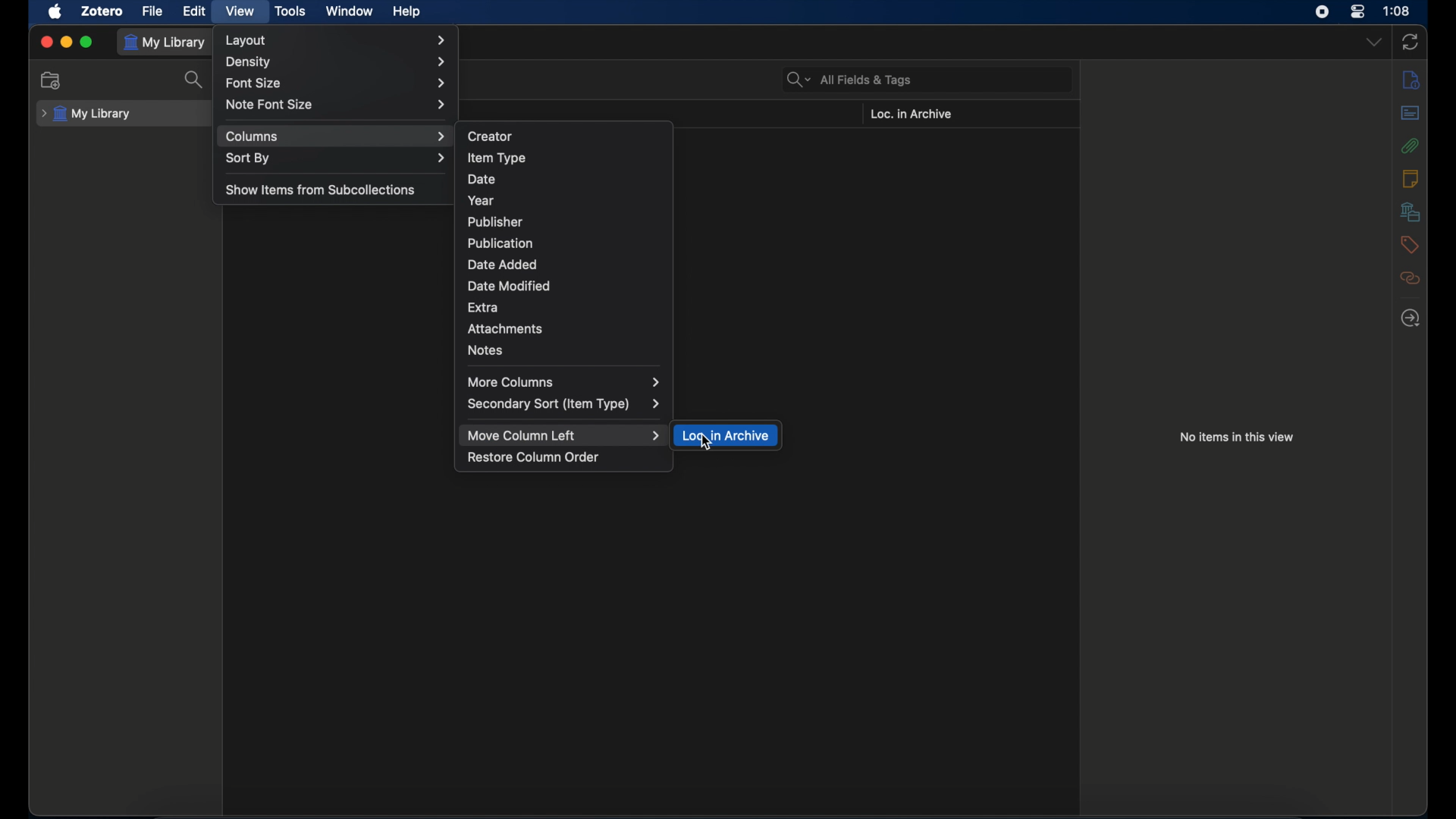  What do you see at coordinates (86, 42) in the screenshot?
I see `maximize` at bounding box center [86, 42].